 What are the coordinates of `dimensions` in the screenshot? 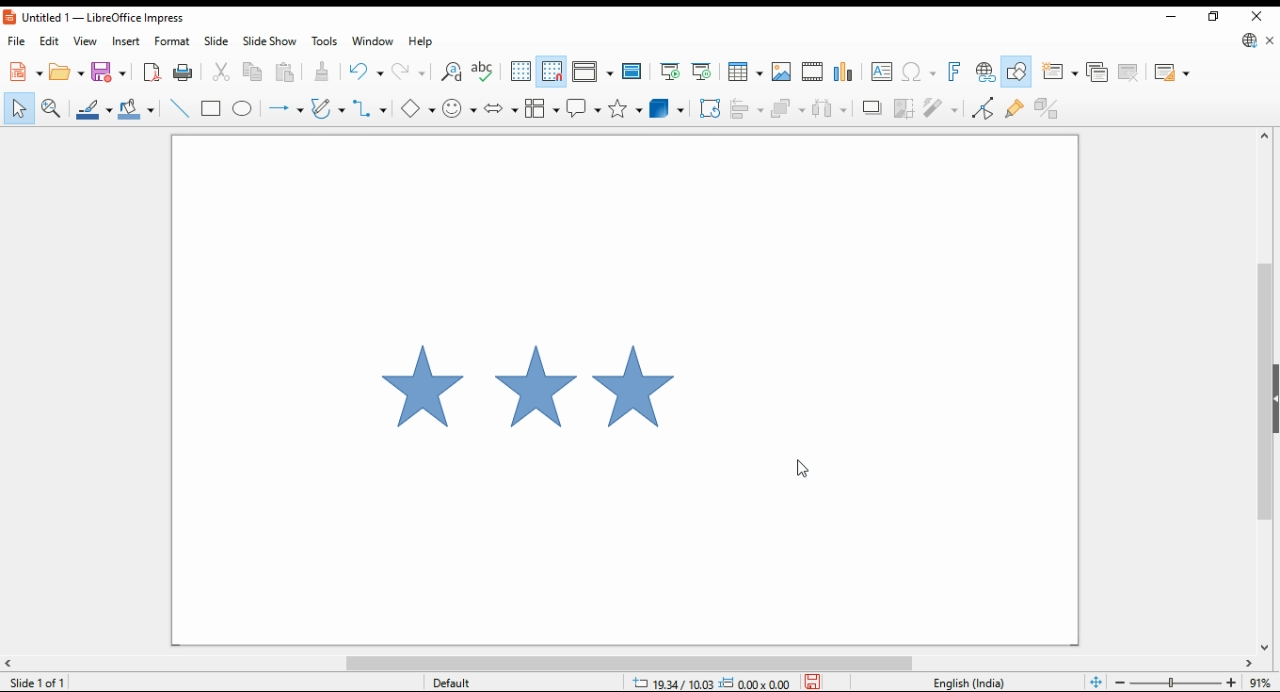 It's located at (710, 681).